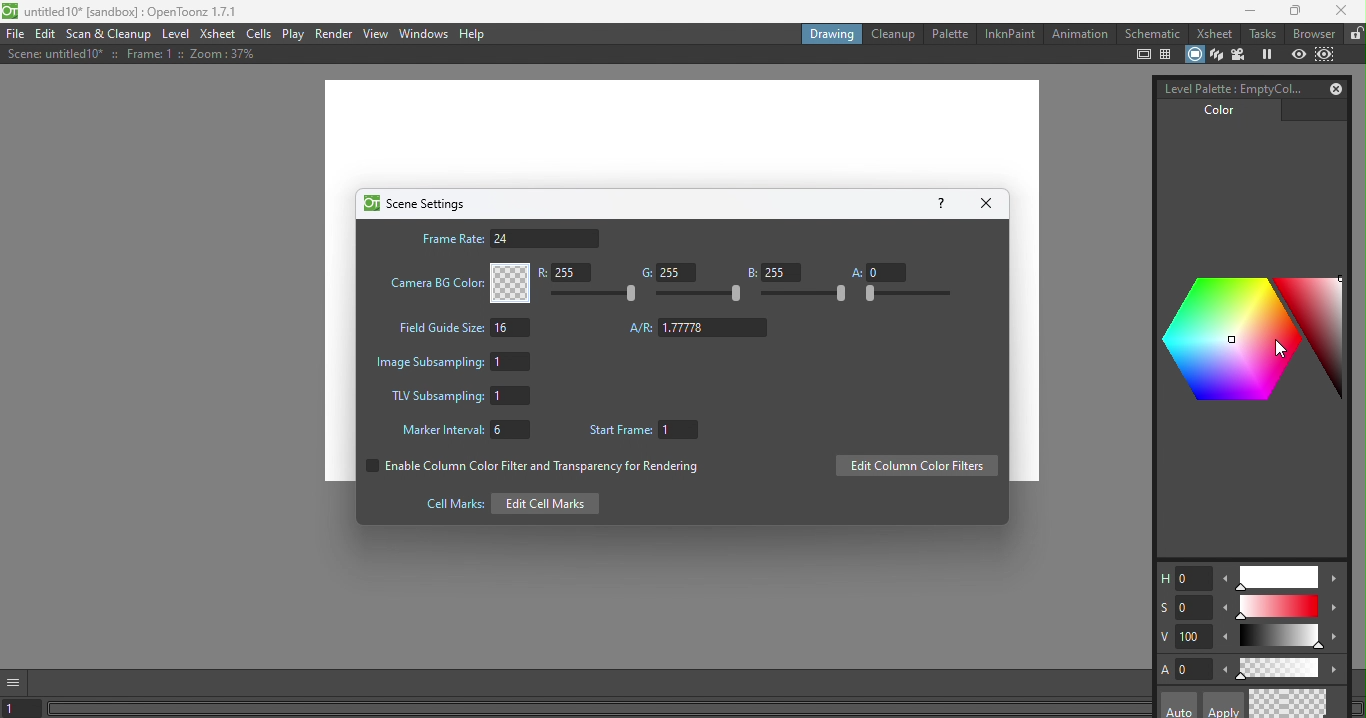 The width and height of the screenshot is (1366, 718). I want to click on Camera BG color, so click(457, 283).